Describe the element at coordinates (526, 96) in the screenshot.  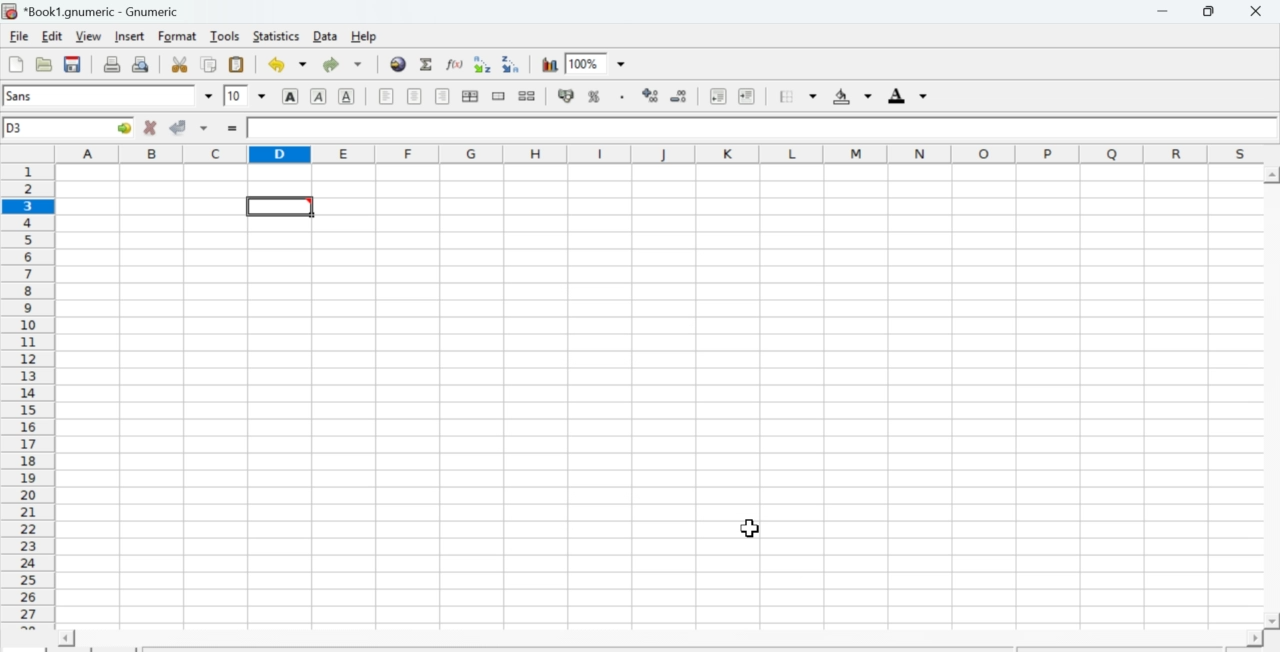
I see `Split cells` at that location.